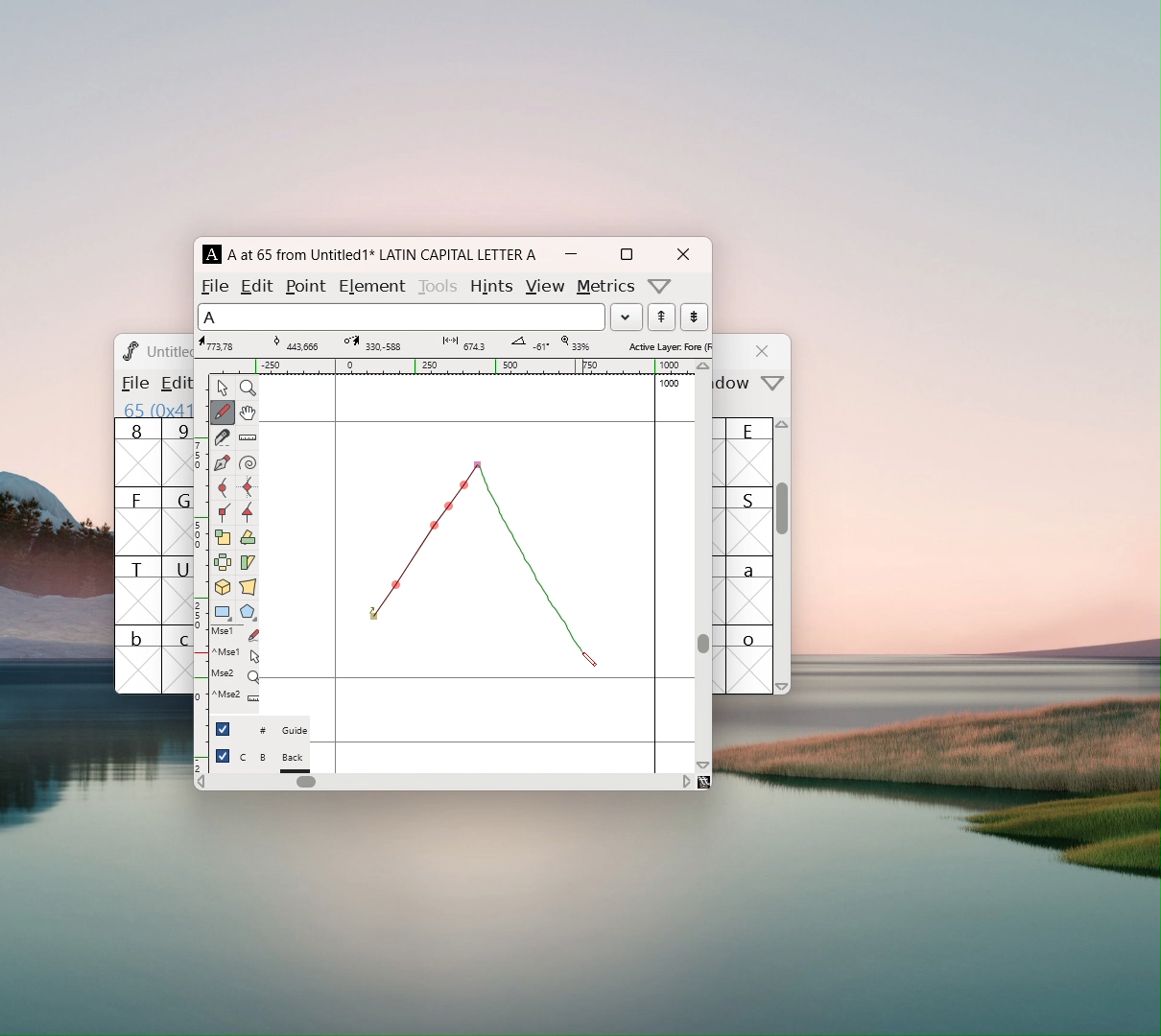 The image size is (1161, 1036). What do you see at coordinates (248, 388) in the screenshot?
I see `maginify` at bounding box center [248, 388].